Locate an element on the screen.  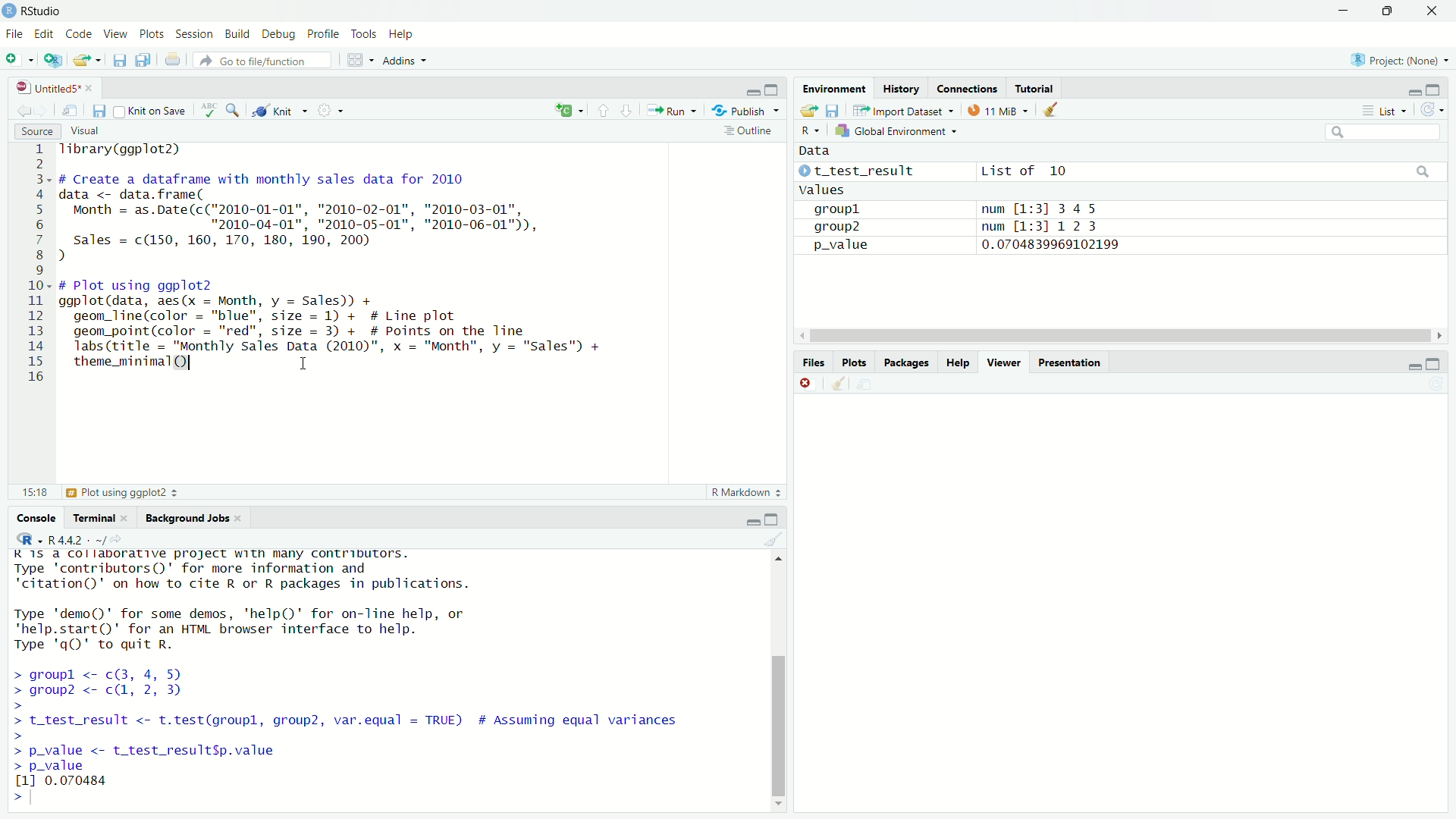
Background Jobs is located at coordinates (195, 518).